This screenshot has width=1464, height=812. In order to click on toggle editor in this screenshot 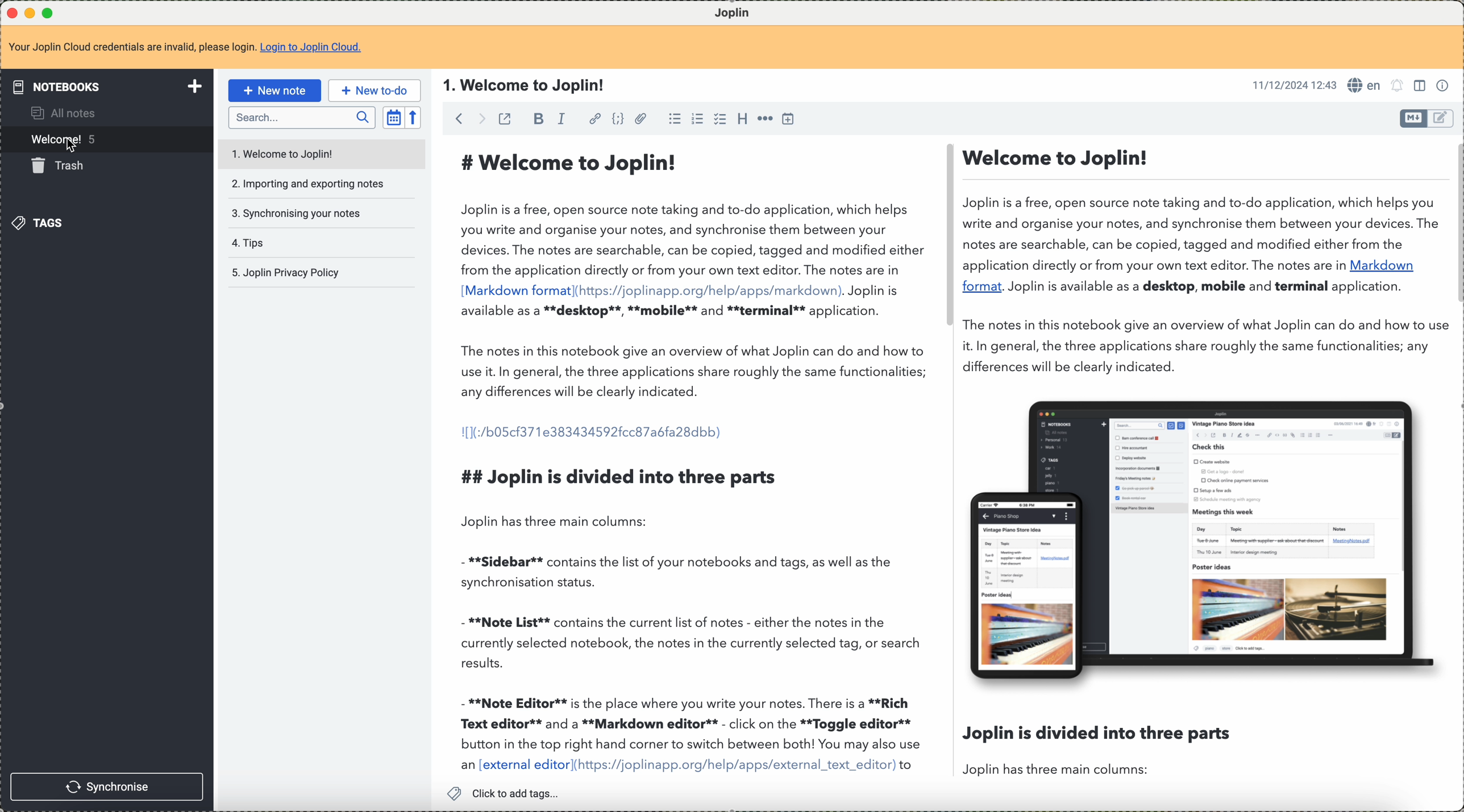, I will do `click(1413, 118)`.